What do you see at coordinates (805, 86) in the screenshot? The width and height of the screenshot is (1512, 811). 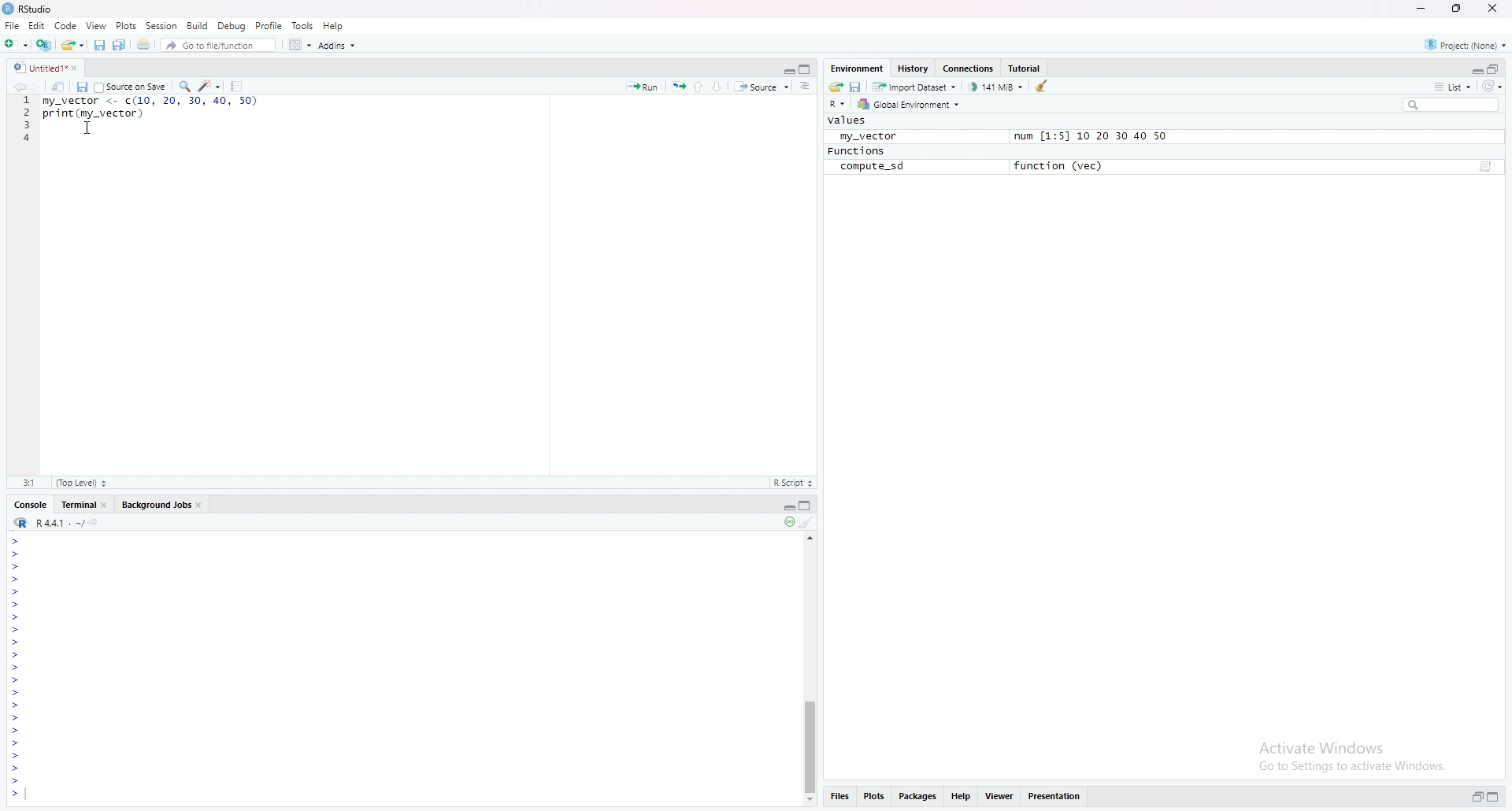 I see `Show document outline (Ctrl + Shift + O)` at bounding box center [805, 86].